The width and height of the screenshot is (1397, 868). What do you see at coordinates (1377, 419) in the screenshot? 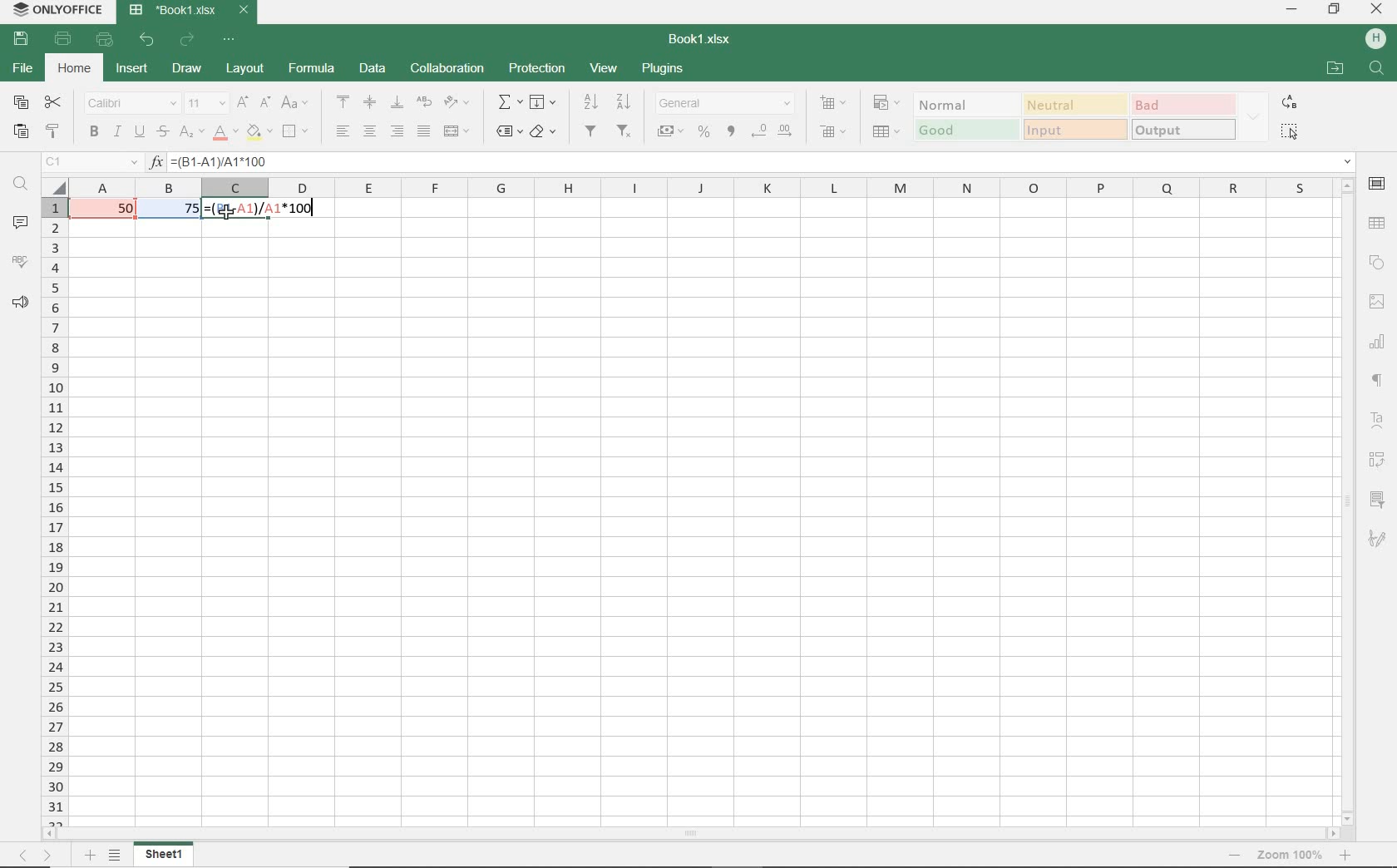
I see `TextArt` at bounding box center [1377, 419].